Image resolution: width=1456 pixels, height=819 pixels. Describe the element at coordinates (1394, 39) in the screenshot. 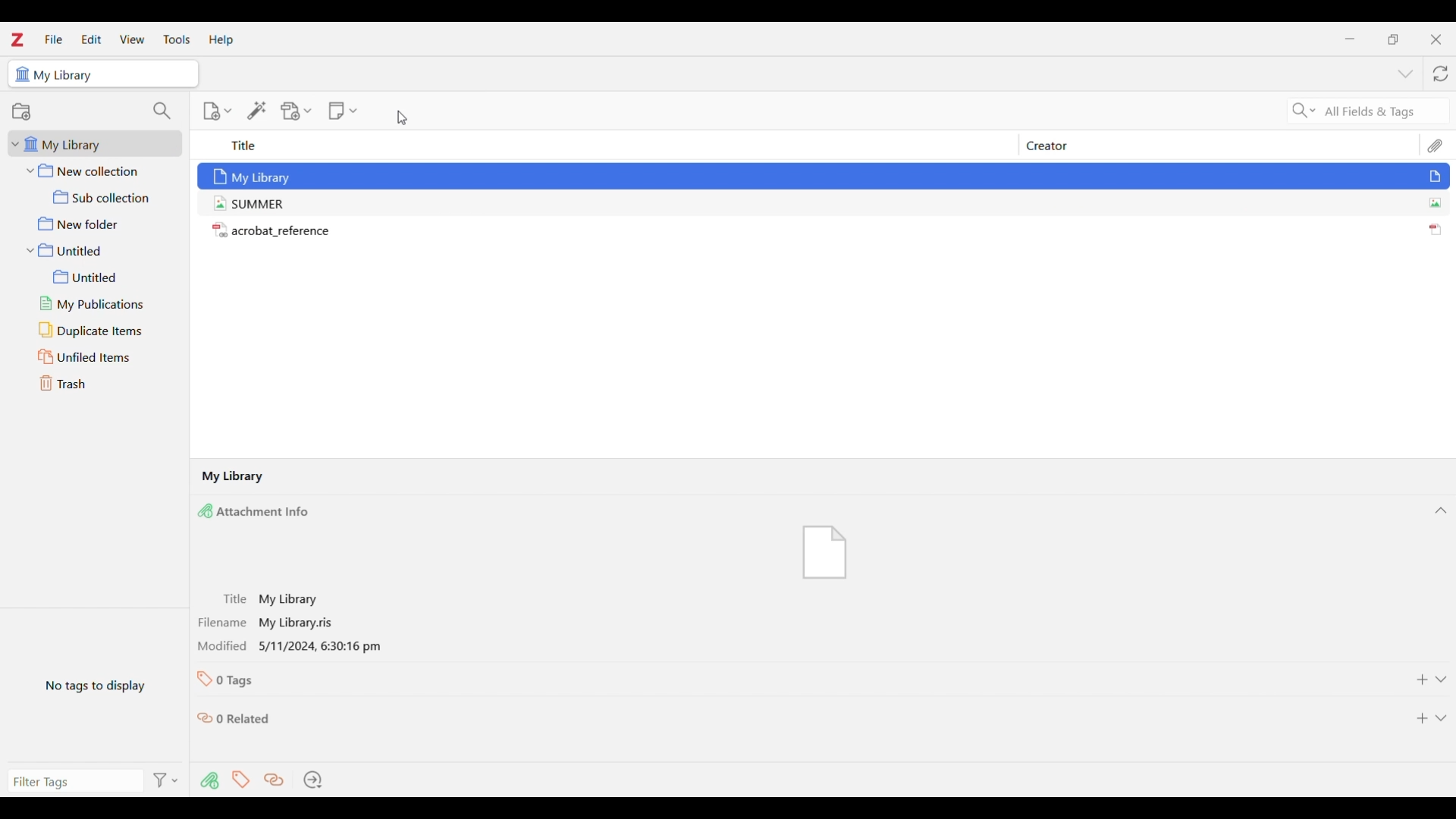

I see `Show interface in a smaller tab` at that location.